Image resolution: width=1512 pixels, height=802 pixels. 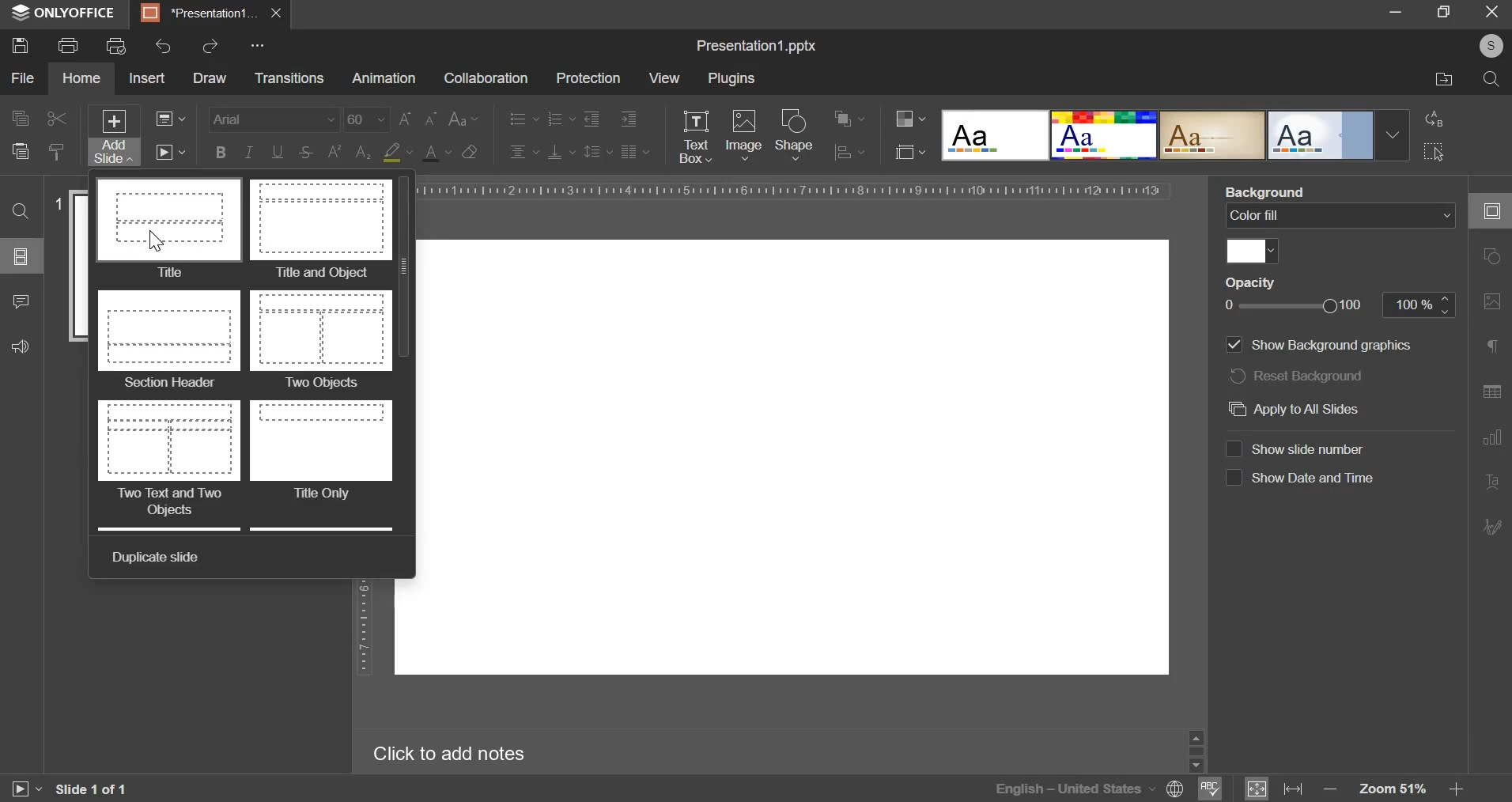 I want to click on onlyoffice, so click(x=68, y=13).